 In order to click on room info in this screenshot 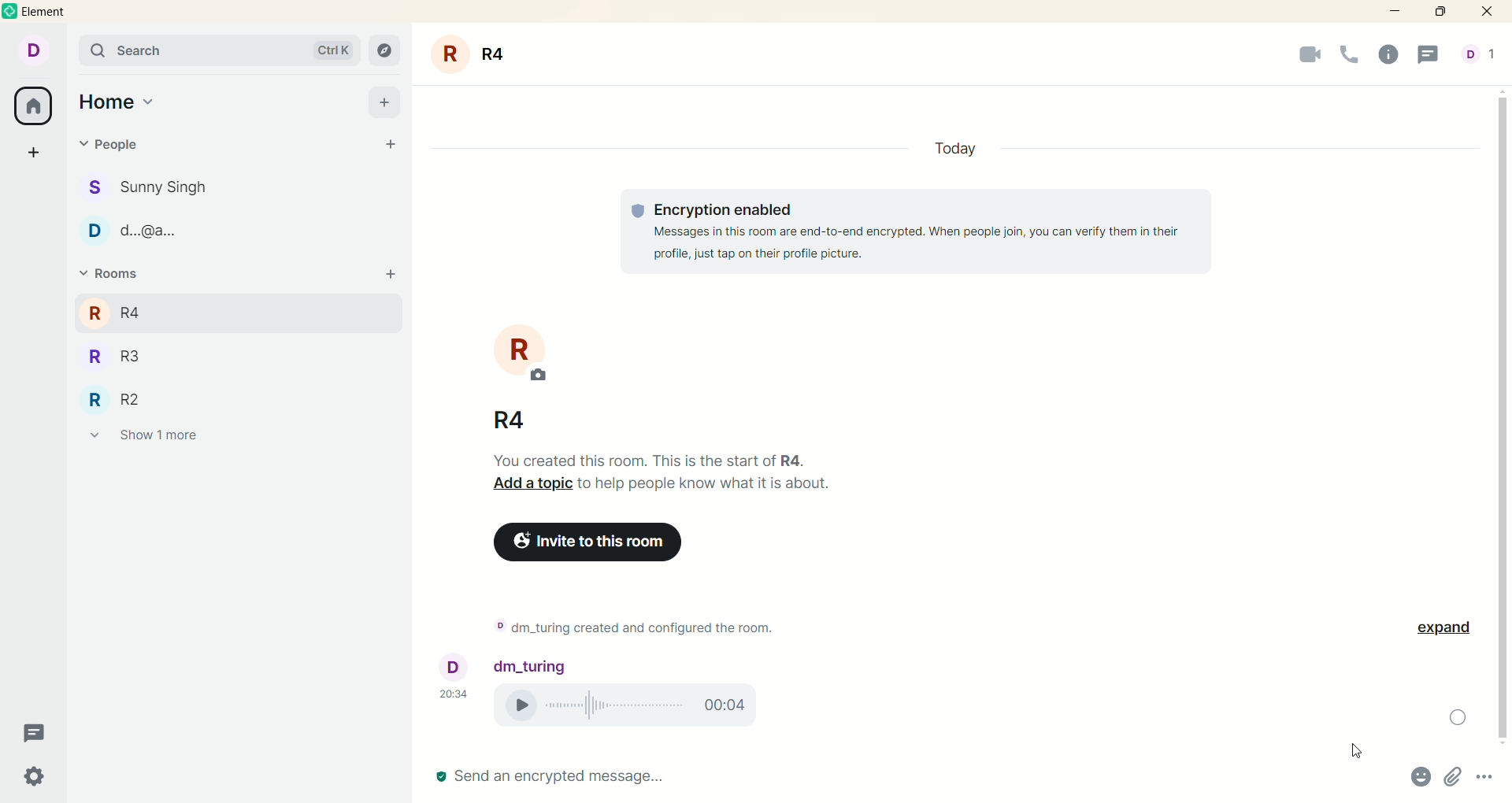, I will do `click(1392, 56)`.